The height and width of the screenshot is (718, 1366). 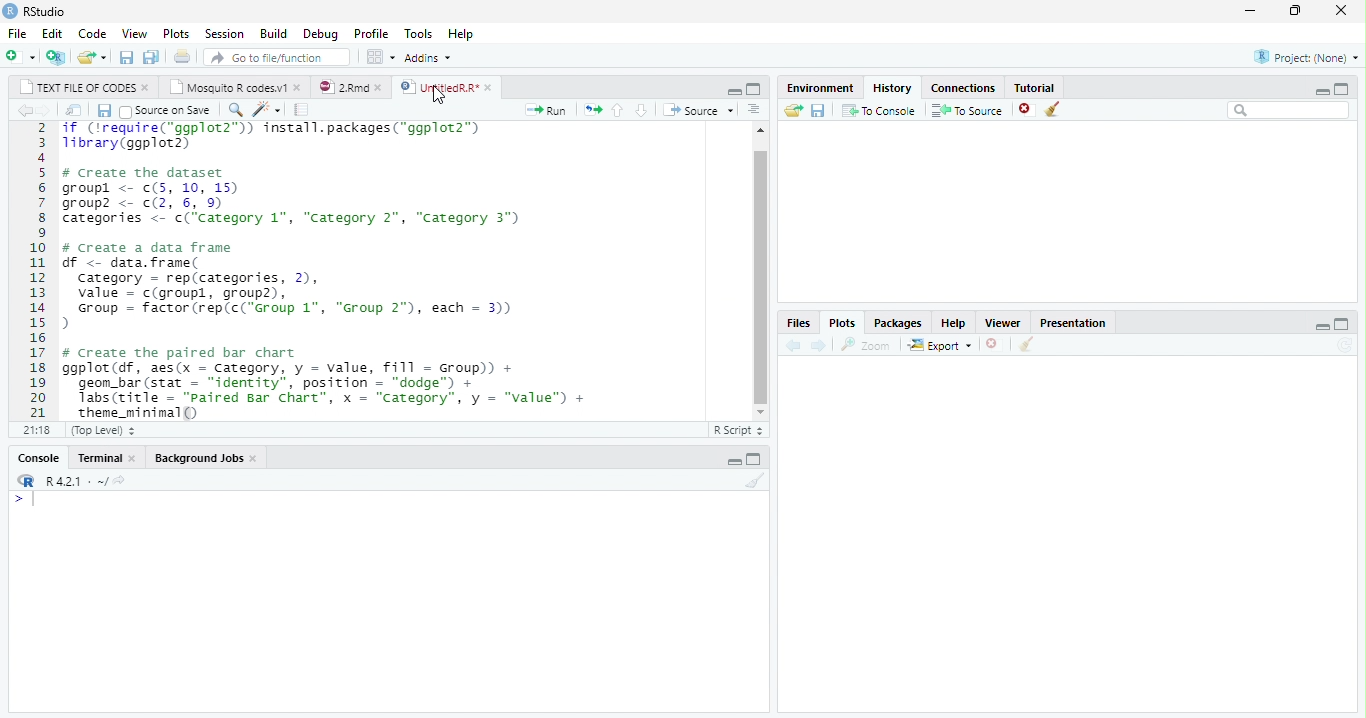 I want to click on share icon, so click(x=122, y=480).